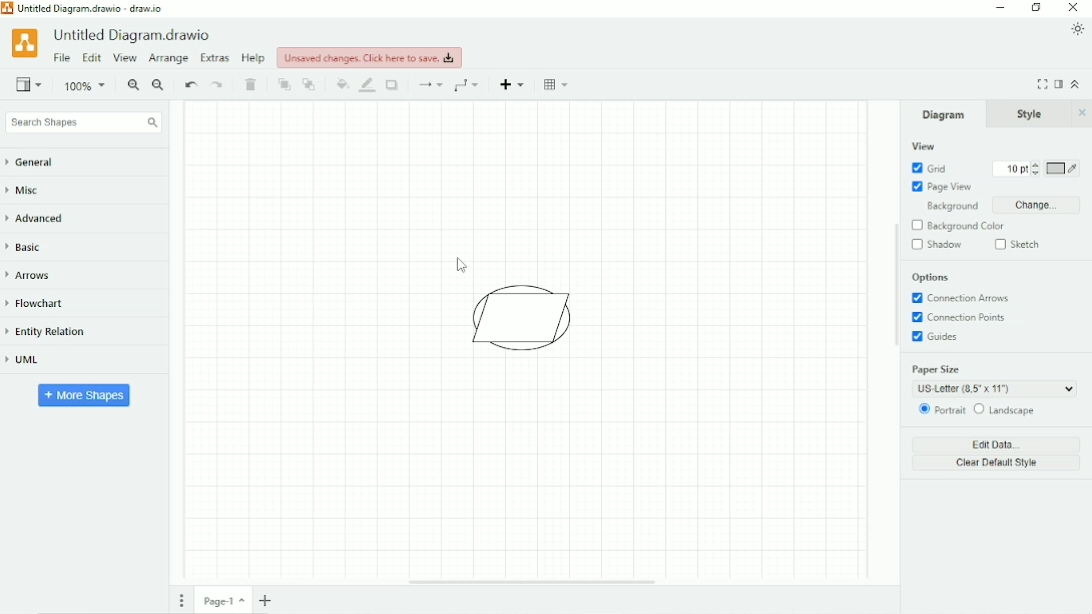 This screenshot has height=614, width=1092. I want to click on Shadow, so click(394, 85).